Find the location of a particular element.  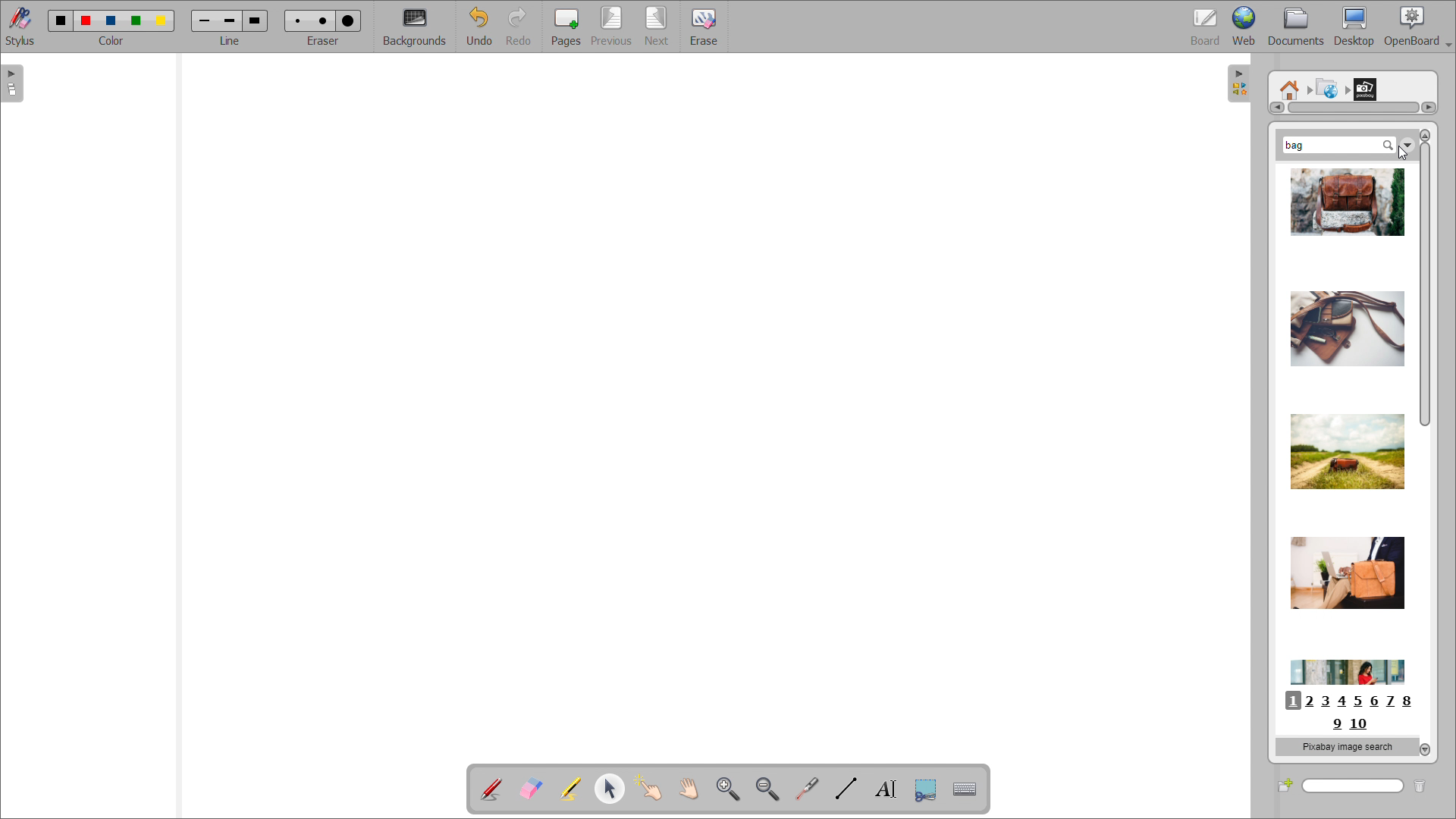

web is located at coordinates (1244, 27).